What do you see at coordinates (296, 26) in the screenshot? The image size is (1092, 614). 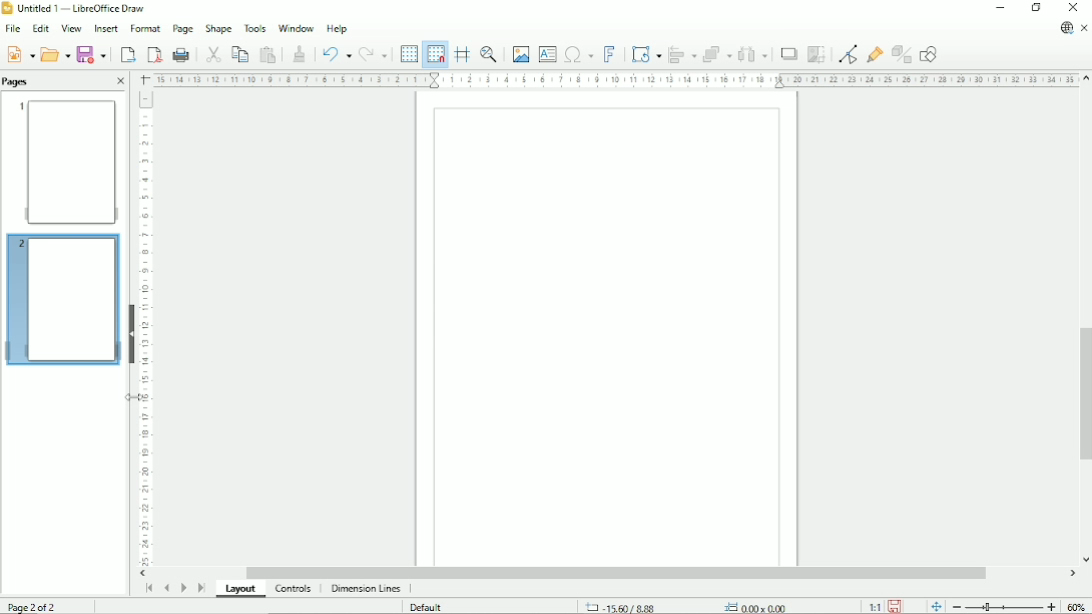 I see `Window` at bounding box center [296, 26].